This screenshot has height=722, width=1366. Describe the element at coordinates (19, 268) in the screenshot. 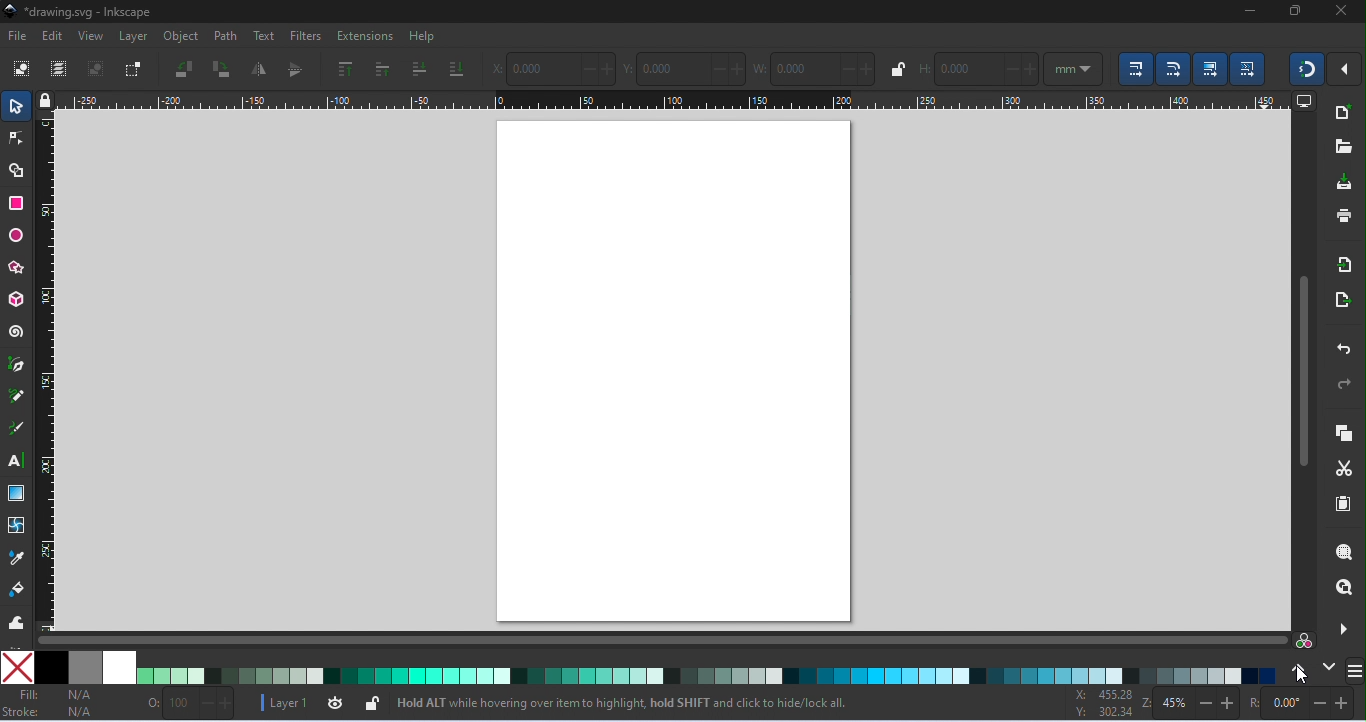

I see `star or polygon` at that location.